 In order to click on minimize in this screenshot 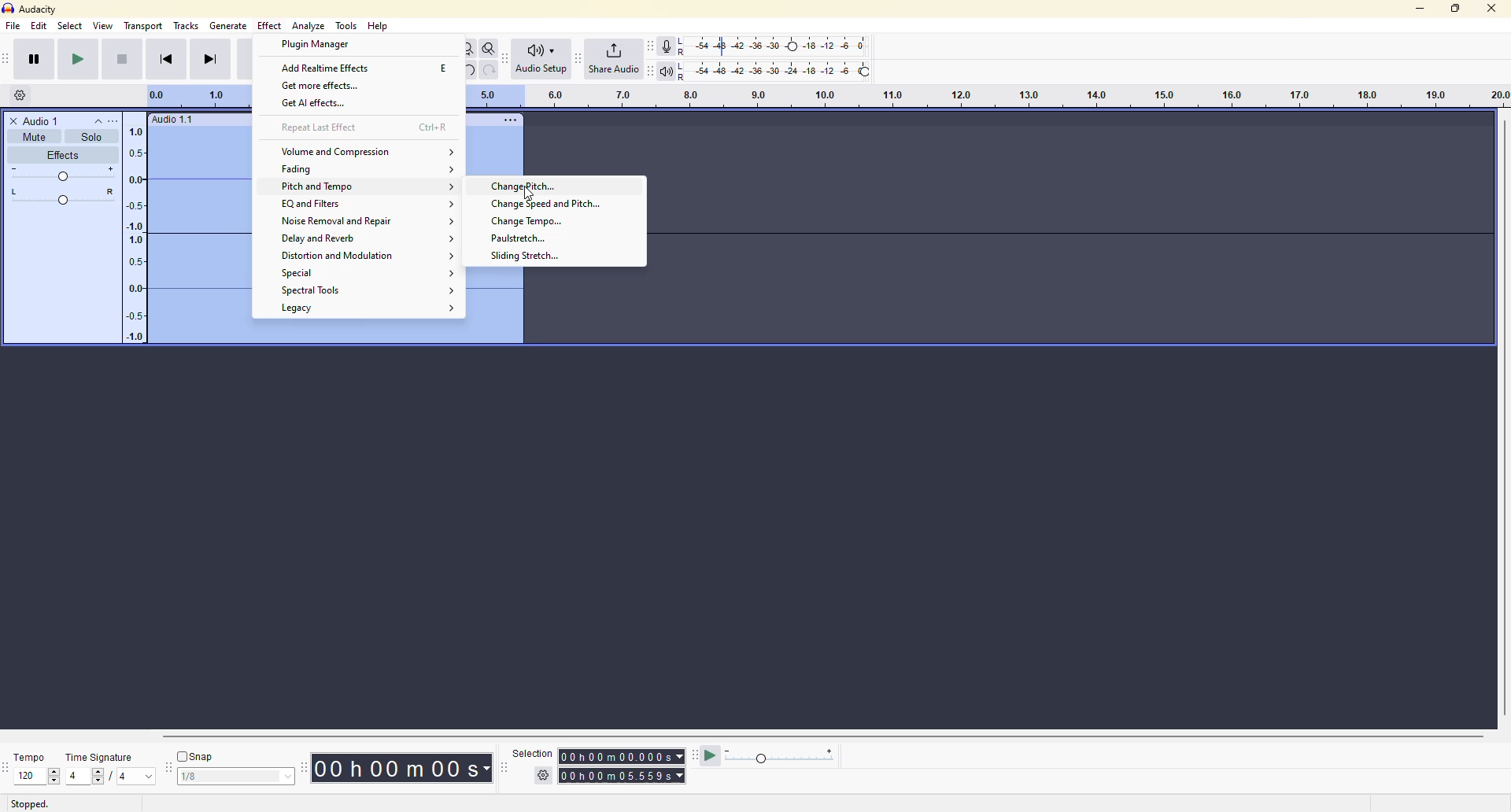, I will do `click(1415, 9)`.